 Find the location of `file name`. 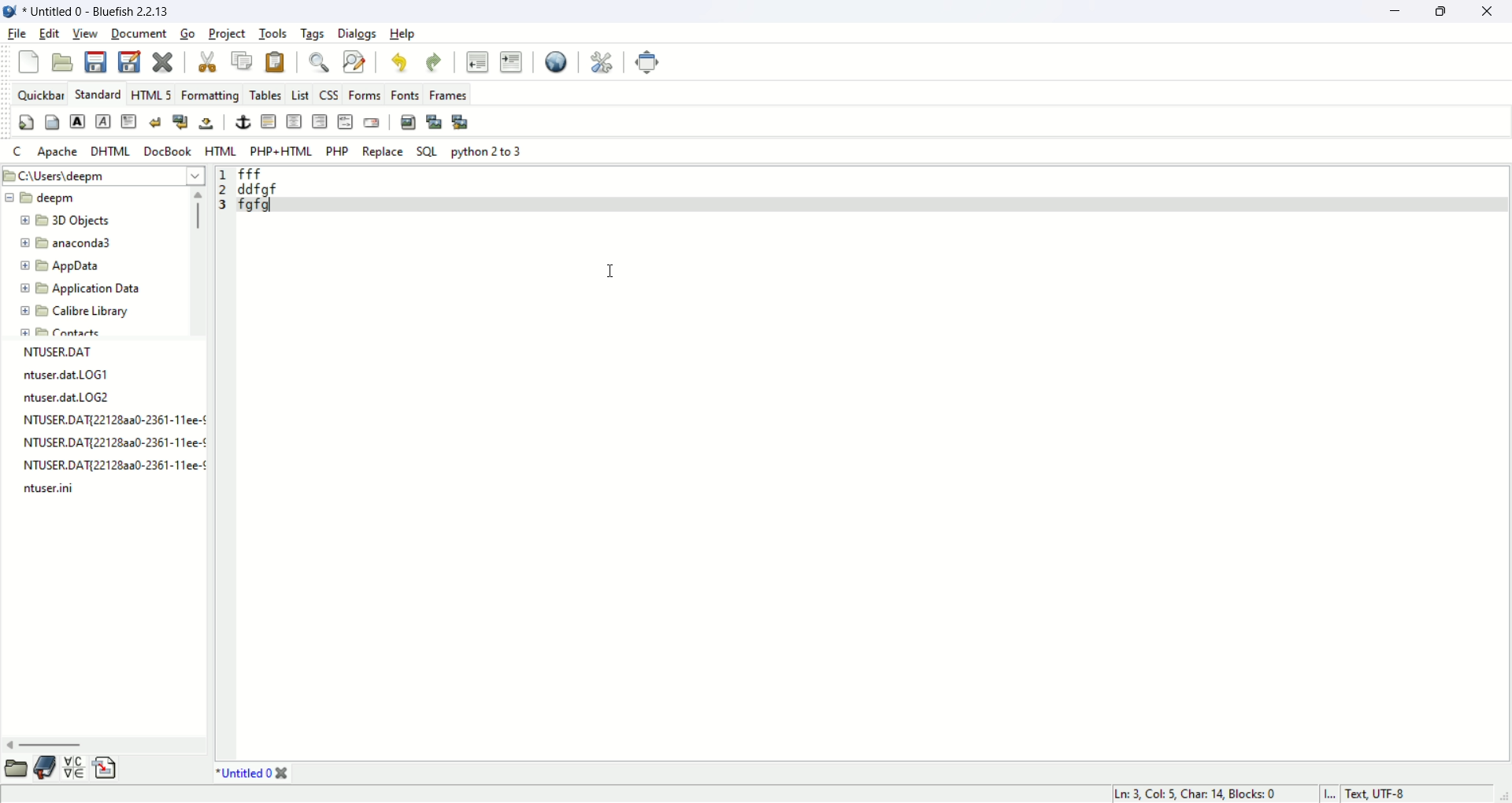

file name is located at coordinates (70, 398).